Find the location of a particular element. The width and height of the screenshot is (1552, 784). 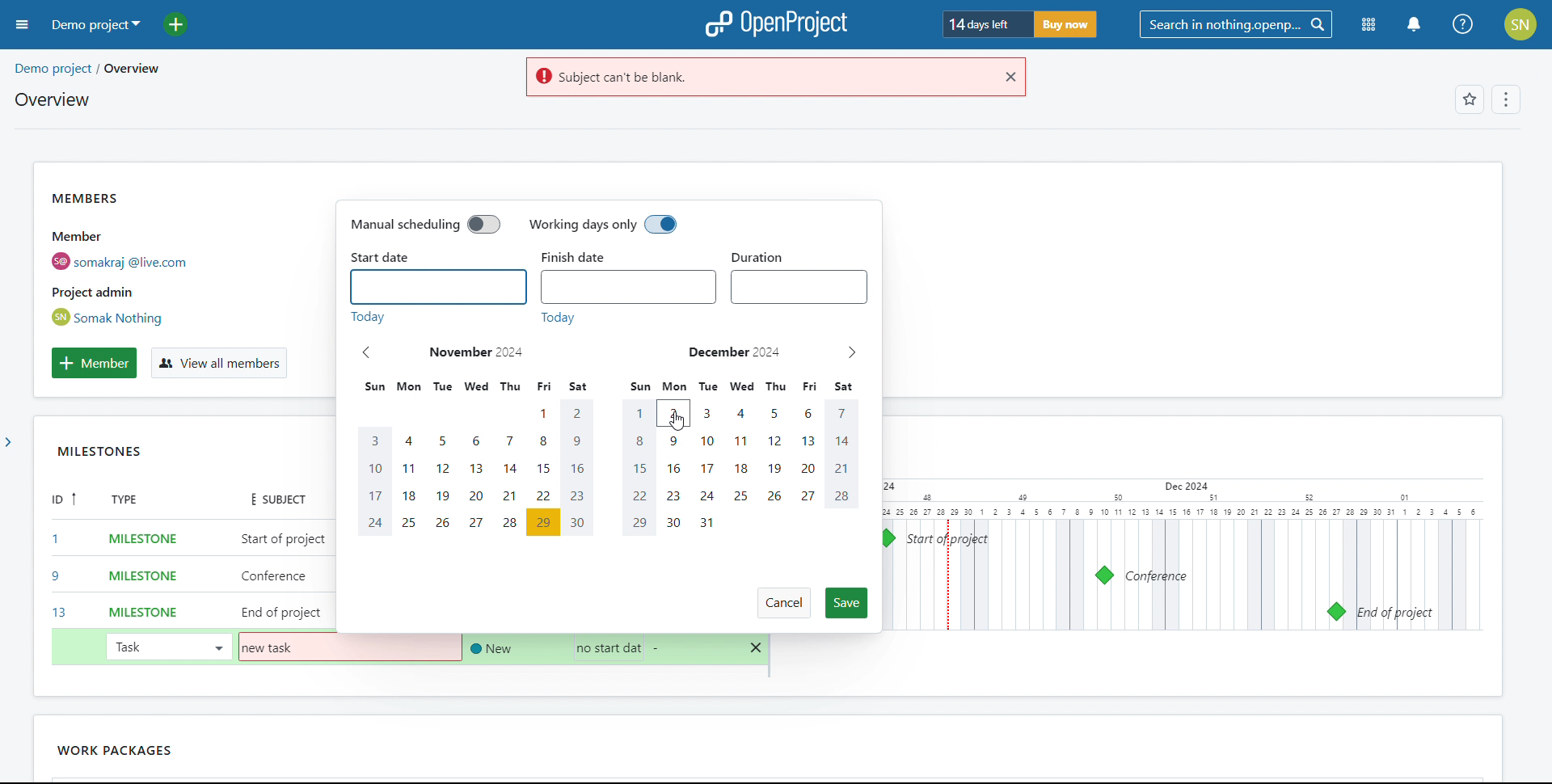

milestone 13 is located at coordinates (1335, 612).